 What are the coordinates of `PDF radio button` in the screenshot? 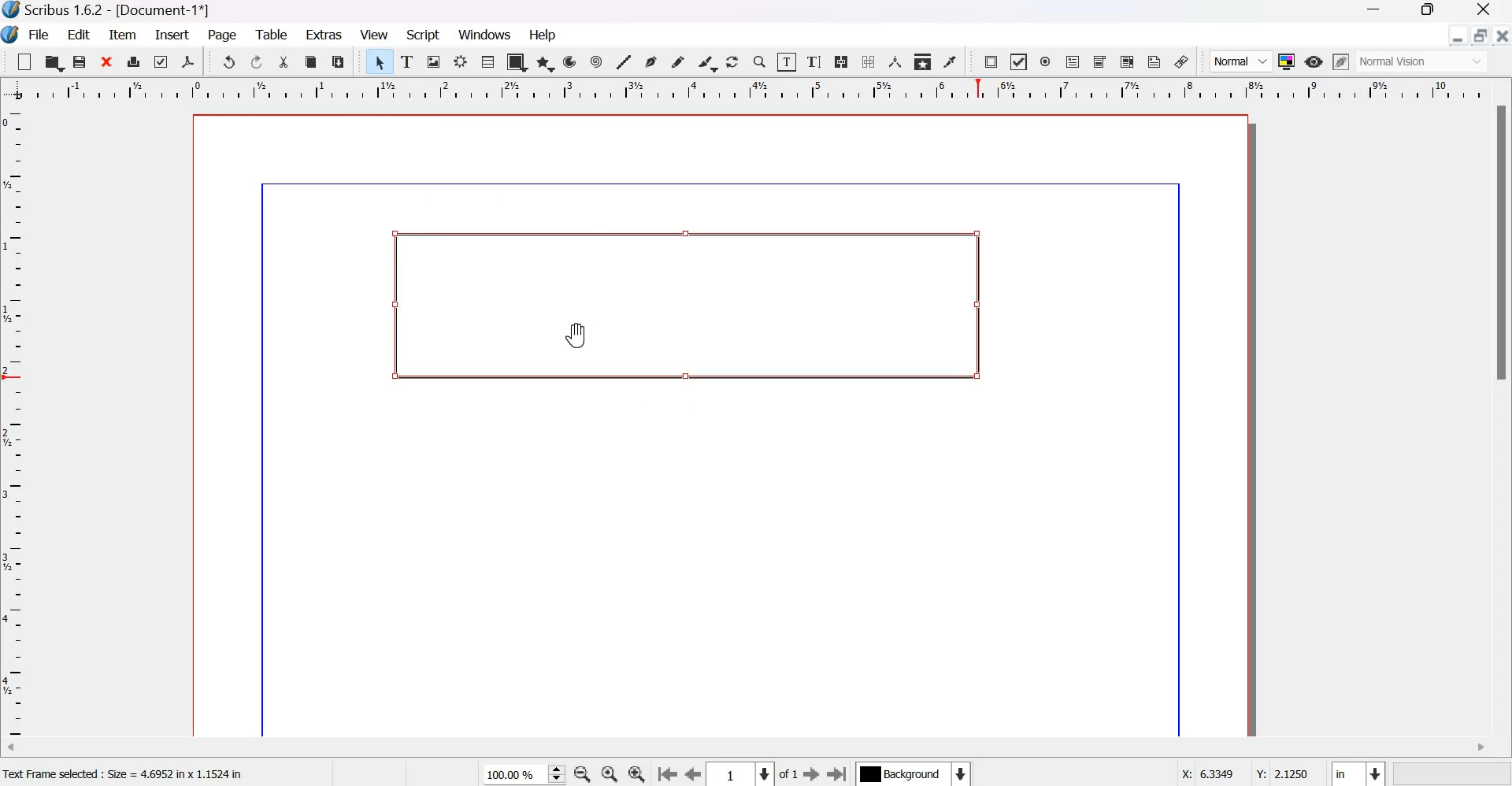 It's located at (1046, 62).